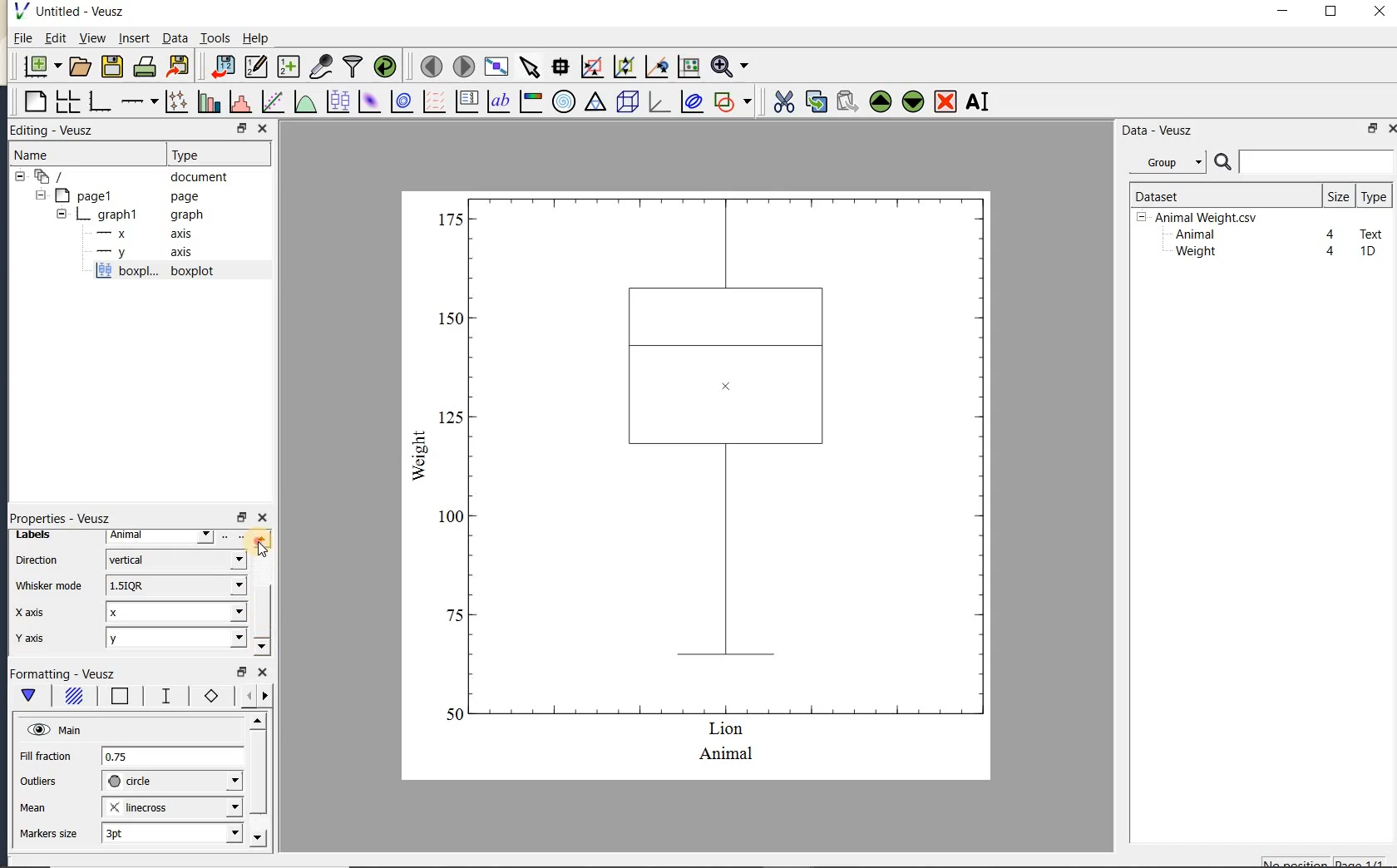 The image size is (1397, 868). I want to click on add an axis to the plot, so click(139, 101).